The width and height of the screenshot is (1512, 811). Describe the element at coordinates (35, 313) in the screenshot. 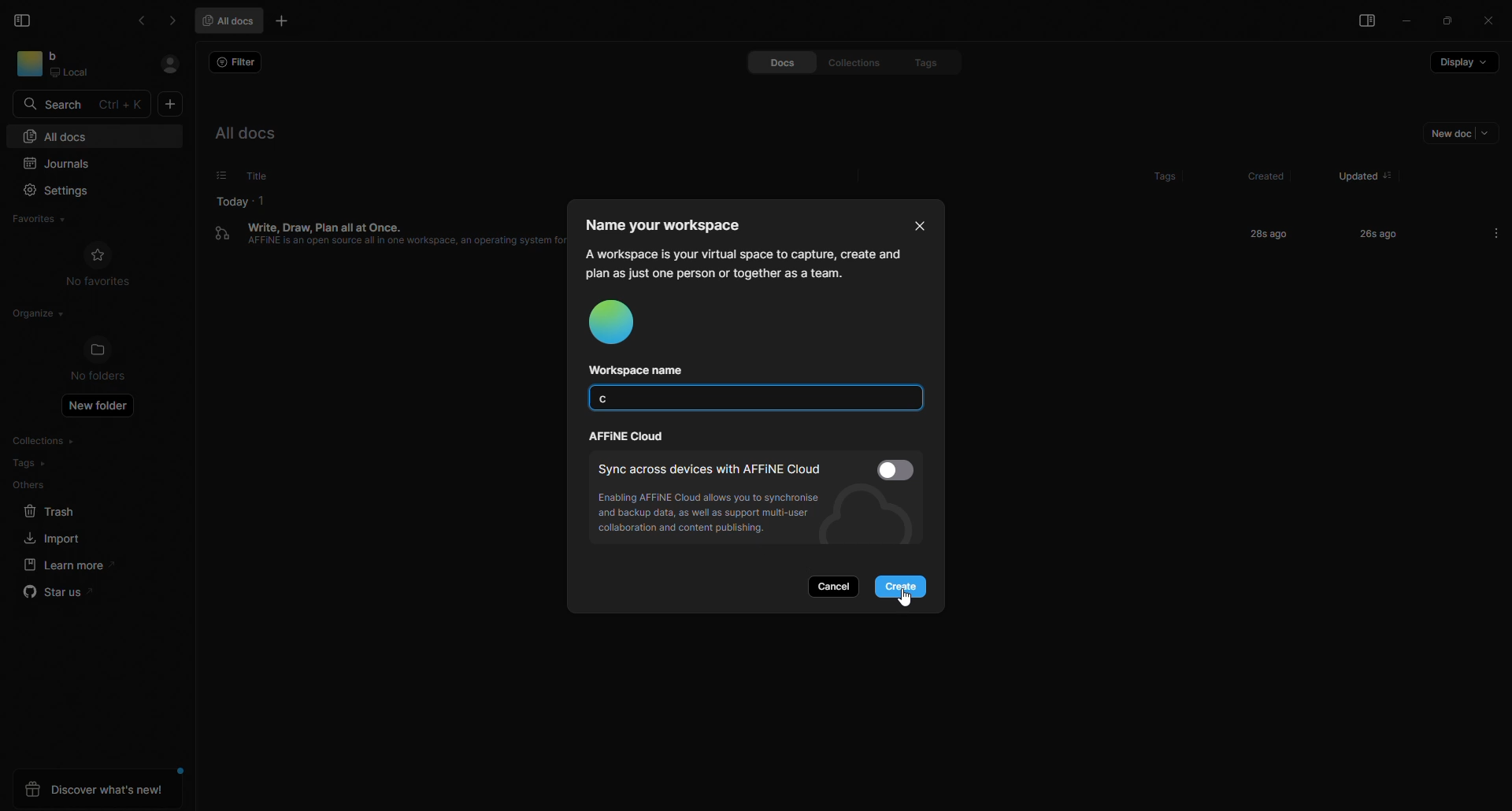

I see `organize` at that location.